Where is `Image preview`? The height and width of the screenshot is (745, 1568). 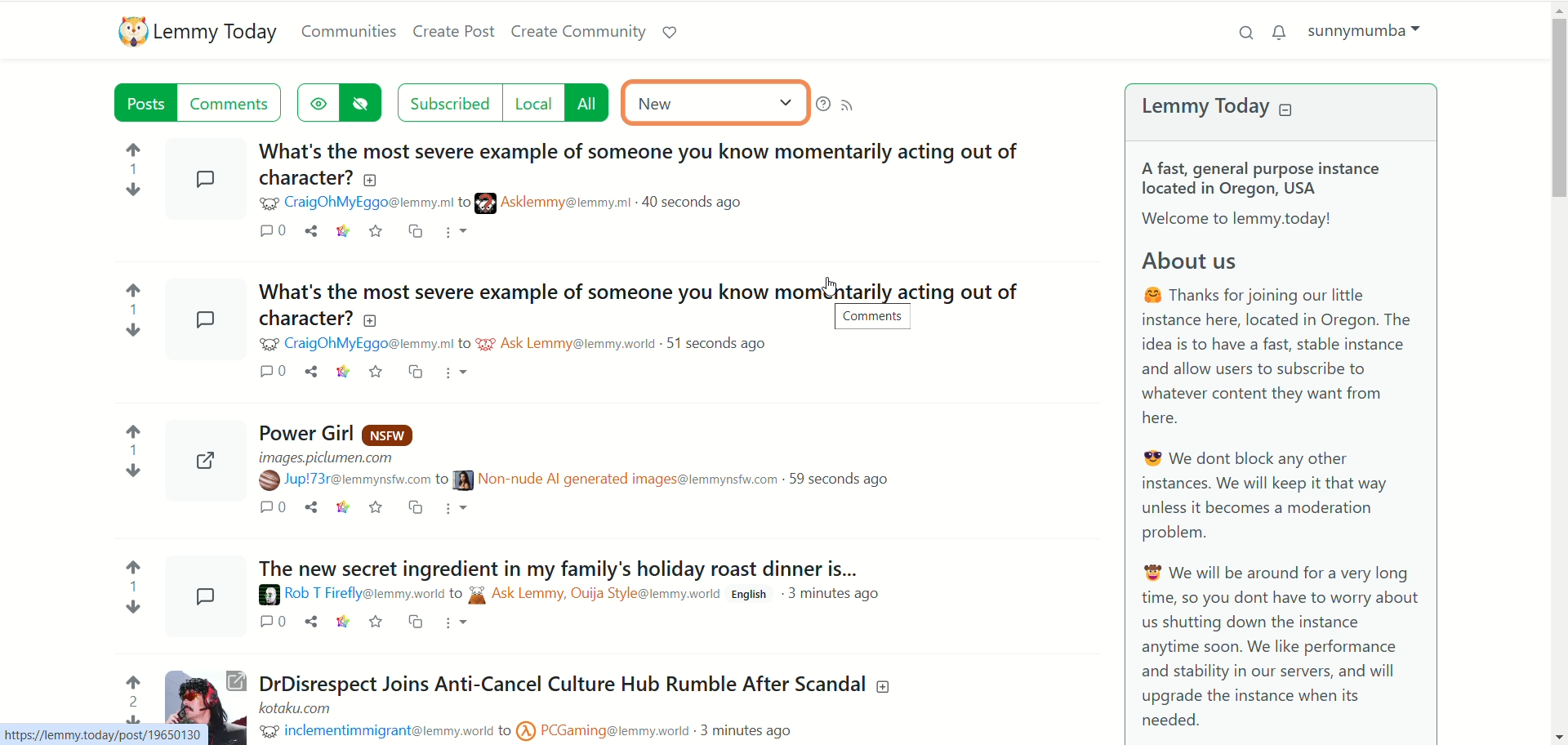 Image preview is located at coordinates (204, 177).